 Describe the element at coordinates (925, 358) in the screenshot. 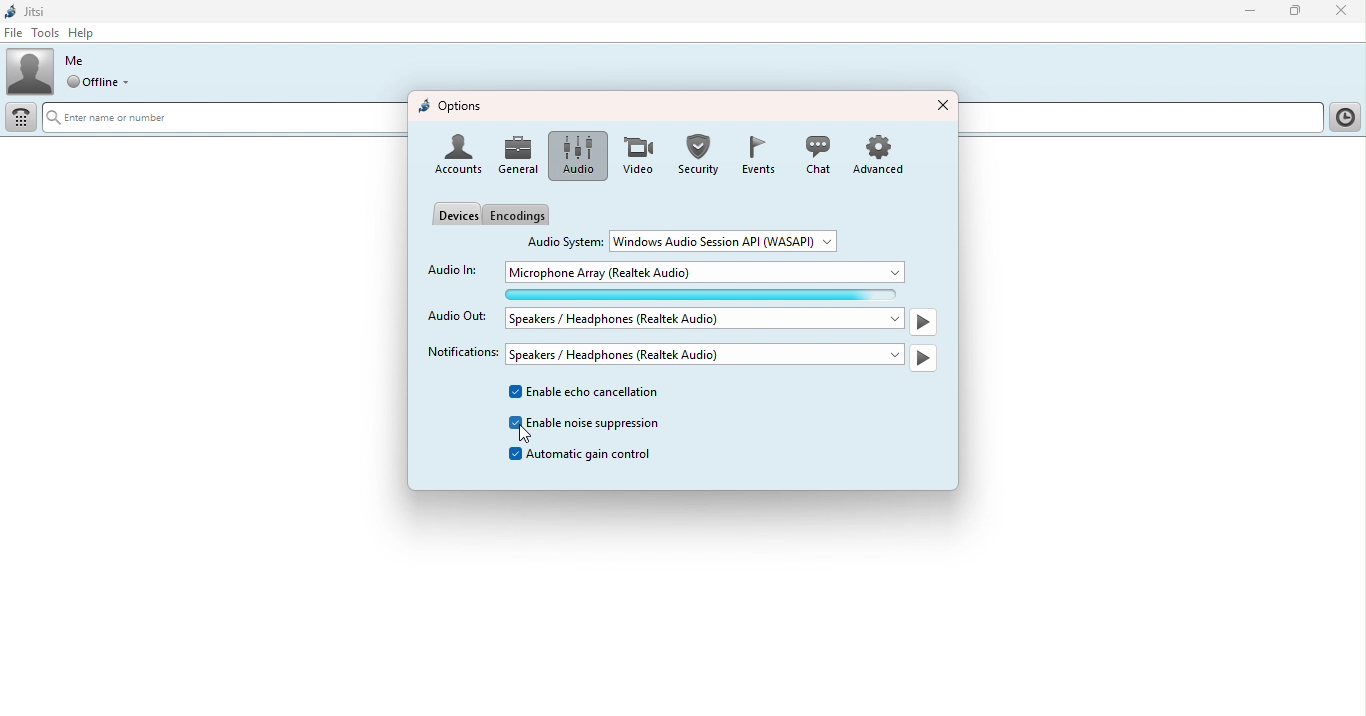

I see `On/Off` at that location.